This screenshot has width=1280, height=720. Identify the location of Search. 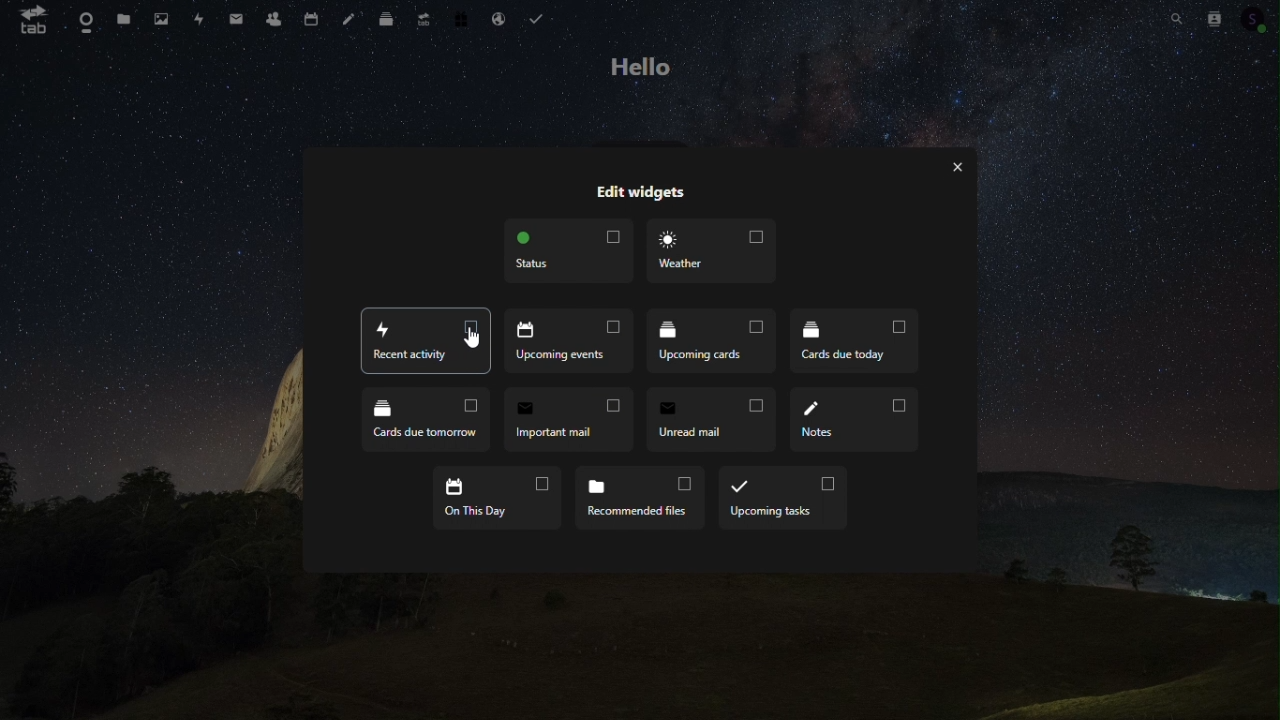
(1176, 17).